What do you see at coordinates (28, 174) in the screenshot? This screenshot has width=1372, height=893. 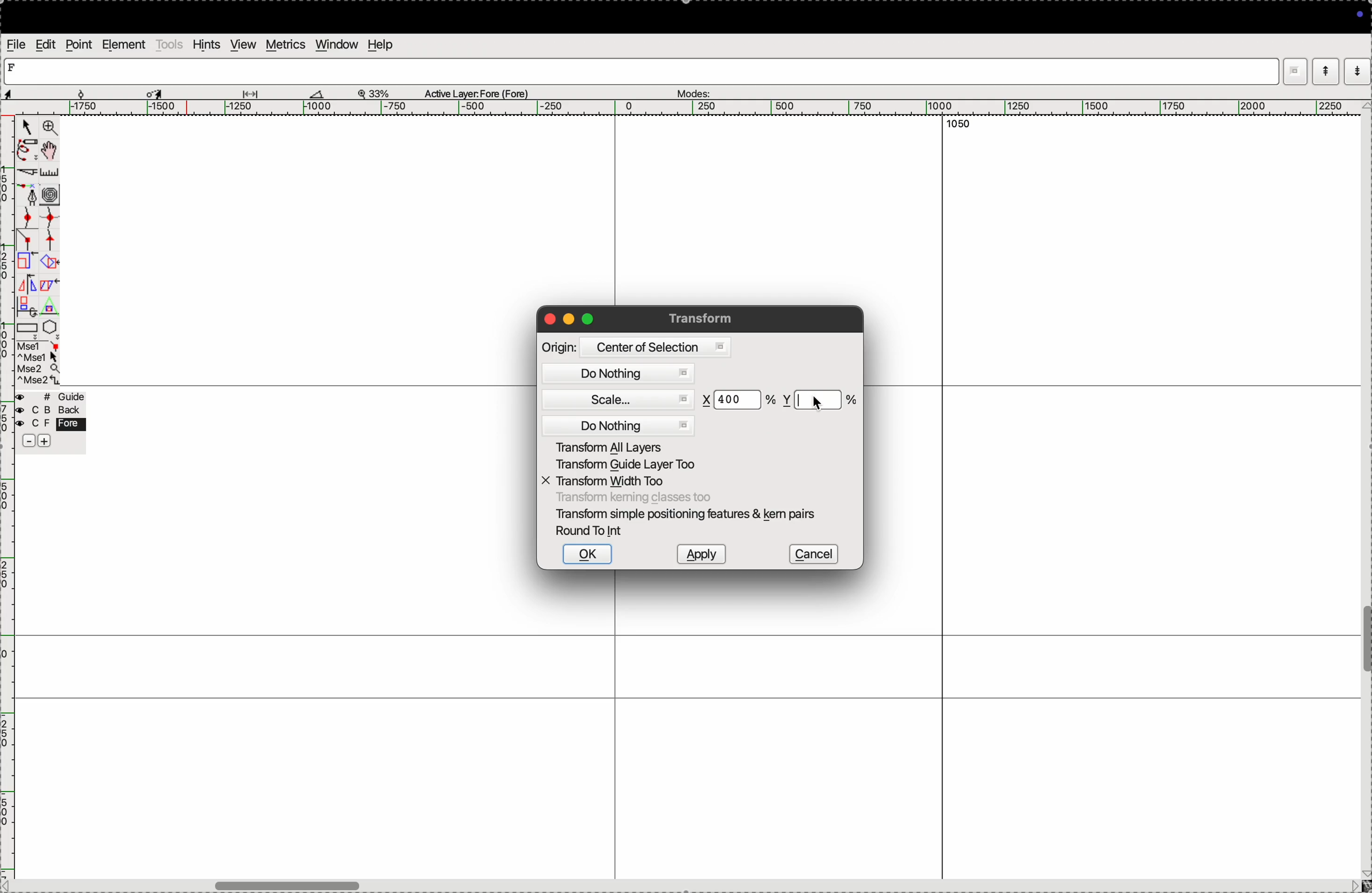 I see `cut` at bounding box center [28, 174].